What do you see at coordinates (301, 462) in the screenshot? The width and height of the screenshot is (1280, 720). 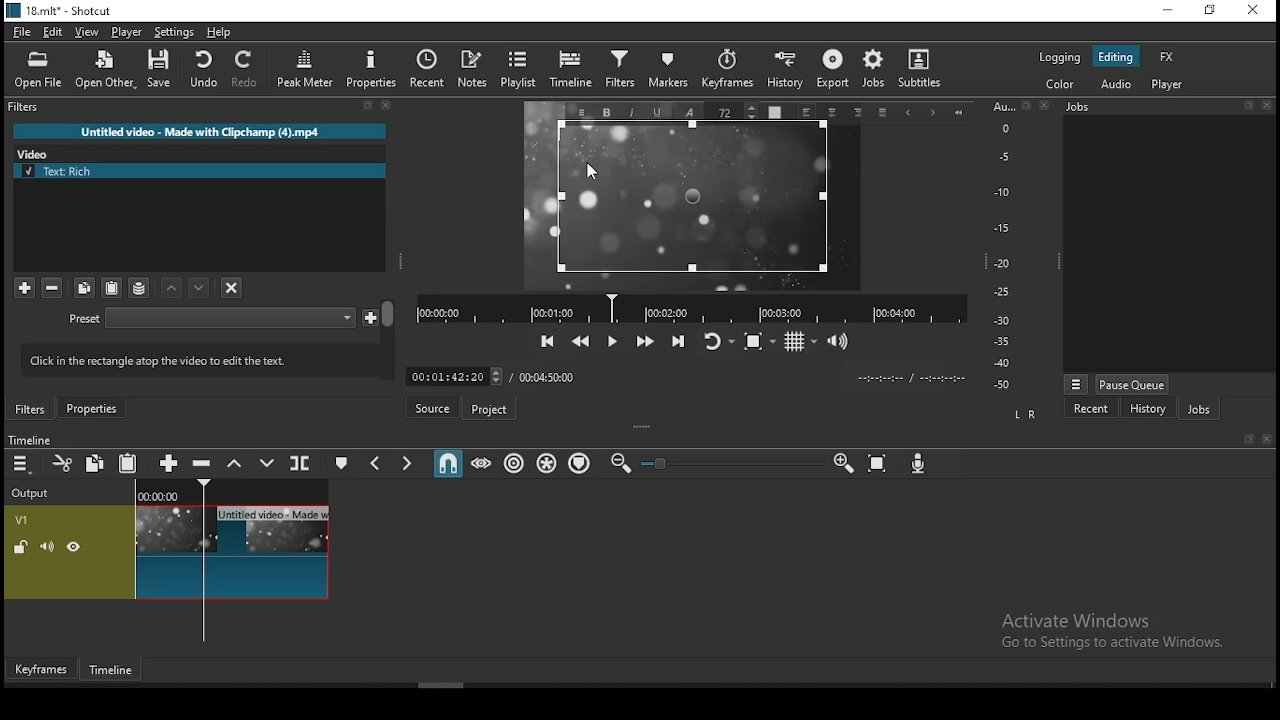 I see `split at playhead` at bounding box center [301, 462].